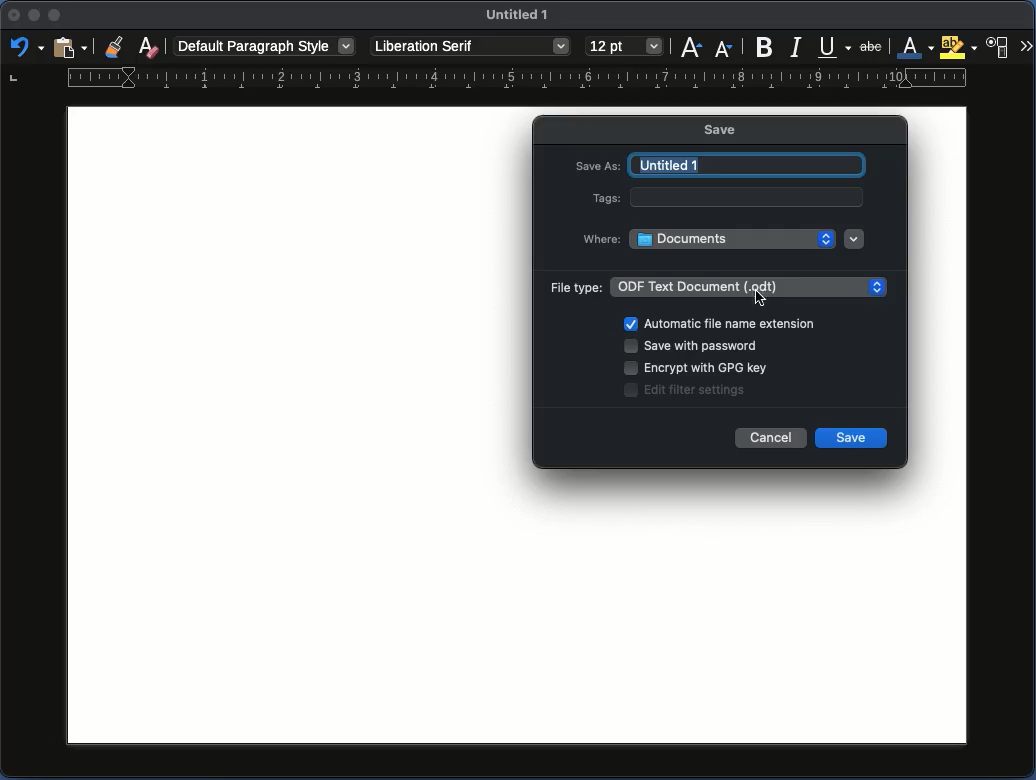  What do you see at coordinates (797, 46) in the screenshot?
I see `Italics` at bounding box center [797, 46].